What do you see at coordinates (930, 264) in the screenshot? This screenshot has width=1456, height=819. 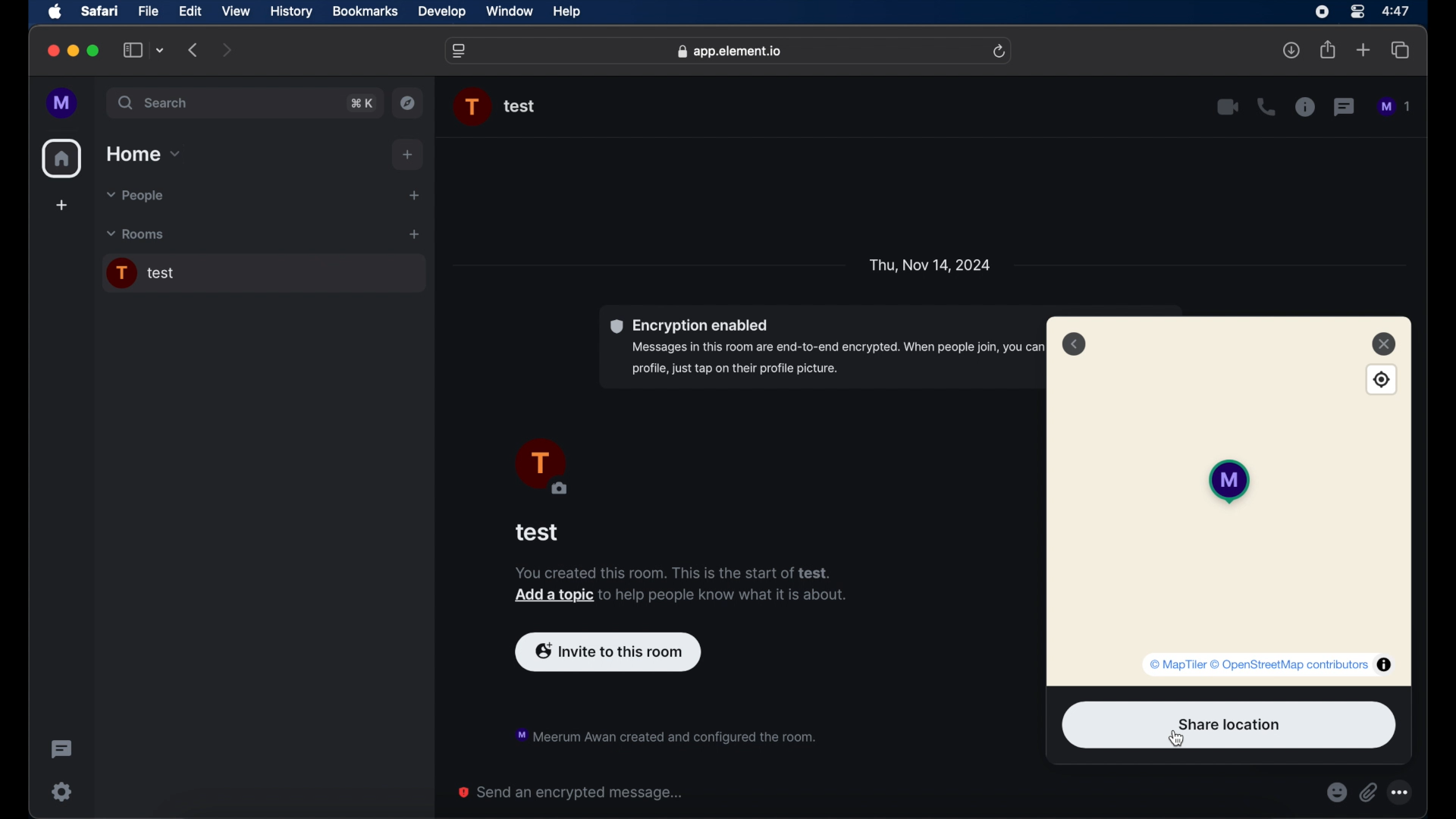 I see `date and day` at bounding box center [930, 264].